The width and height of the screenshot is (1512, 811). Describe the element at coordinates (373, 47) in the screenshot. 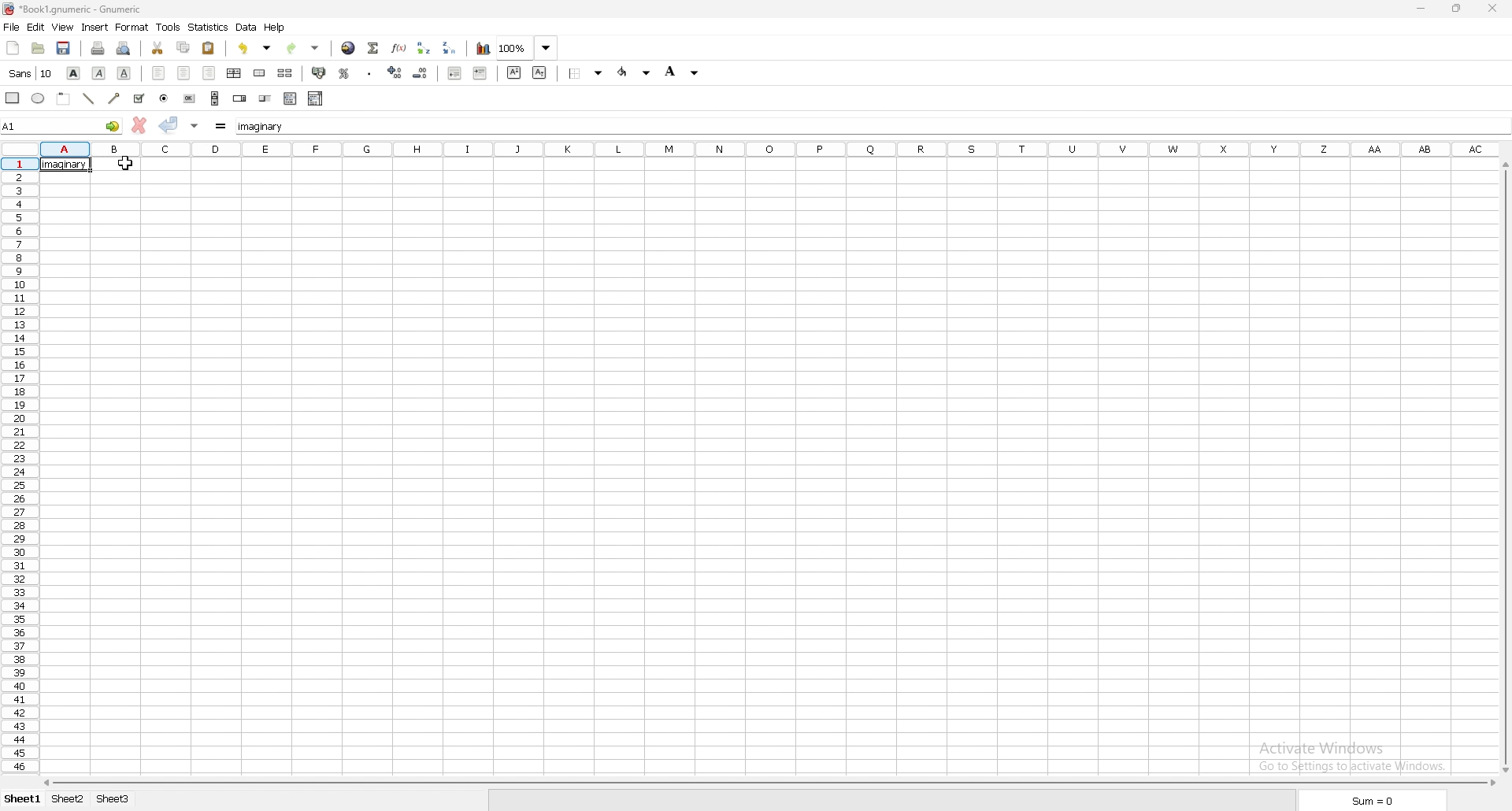

I see `summation` at that location.